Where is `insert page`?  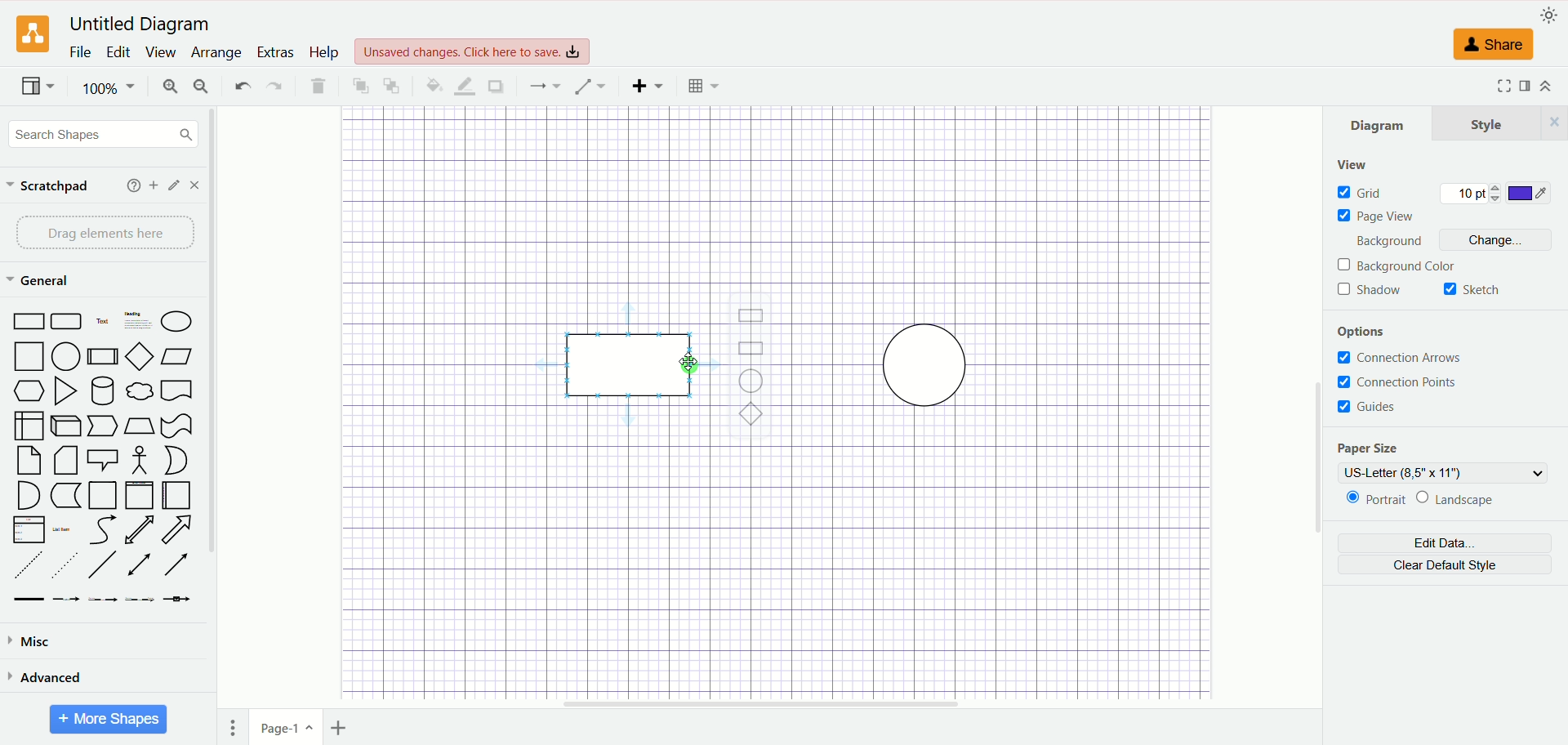
insert page is located at coordinates (341, 730).